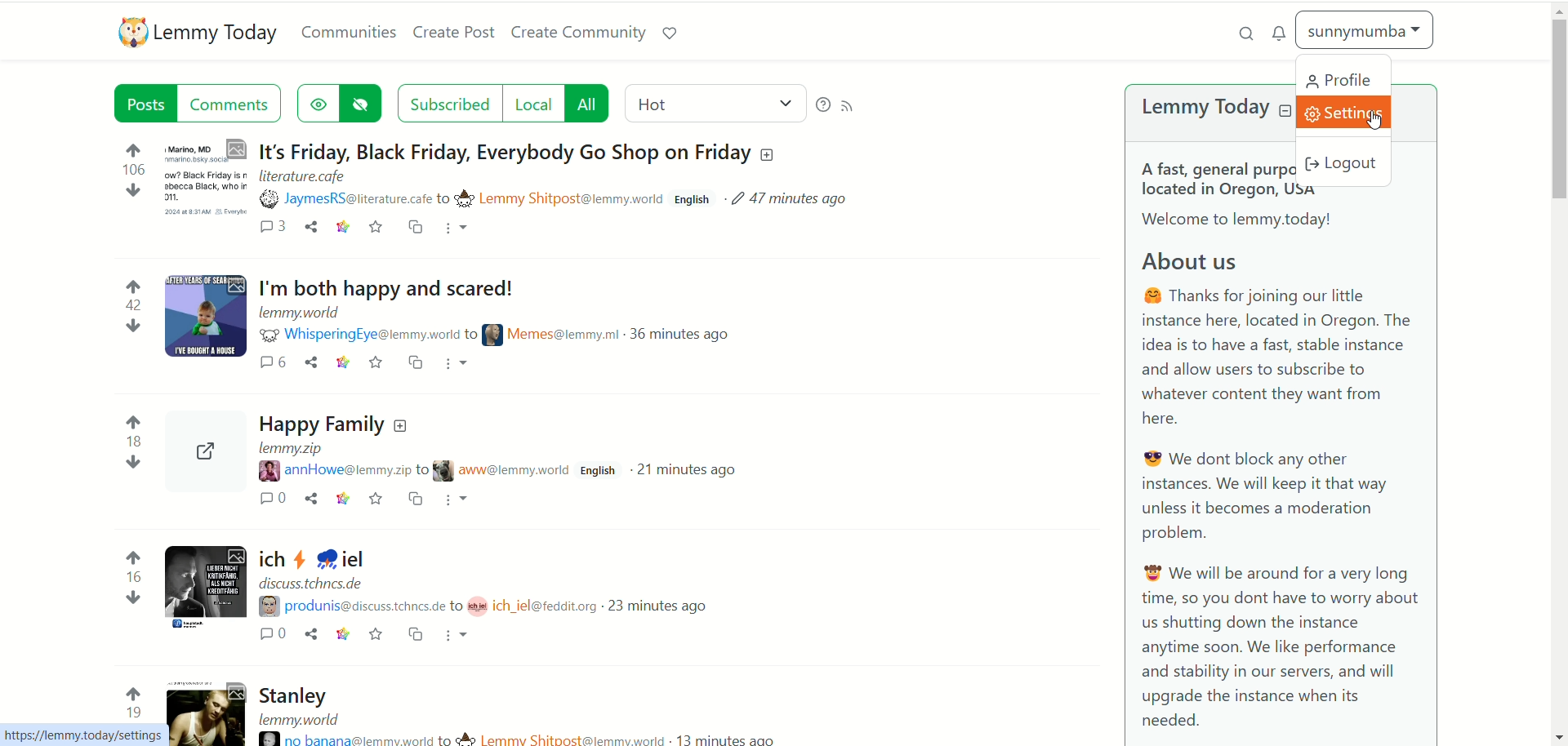 The image size is (1568, 746). What do you see at coordinates (590, 102) in the screenshot?
I see `all` at bounding box center [590, 102].